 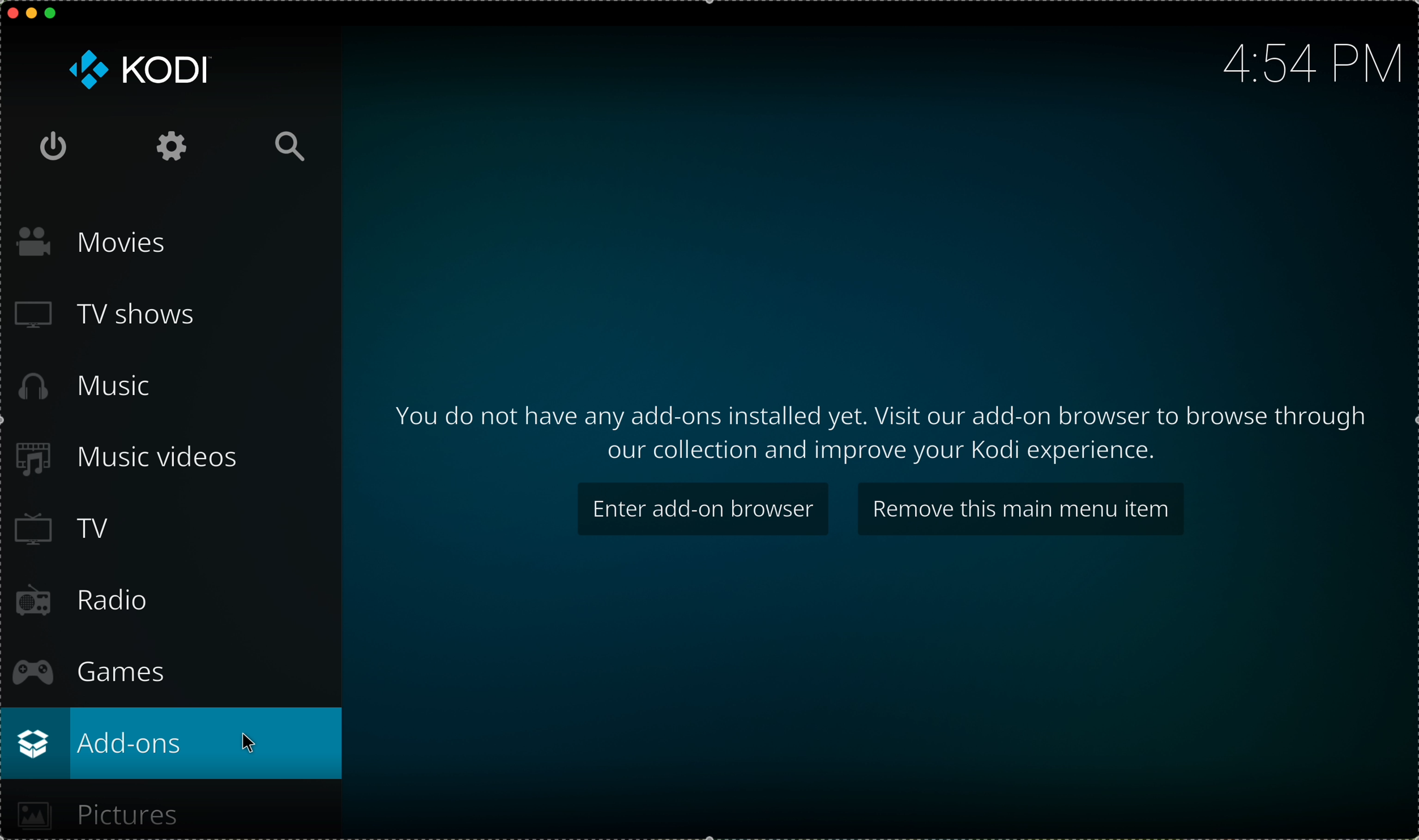 What do you see at coordinates (257, 745) in the screenshot?
I see `cursor` at bounding box center [257, 745].